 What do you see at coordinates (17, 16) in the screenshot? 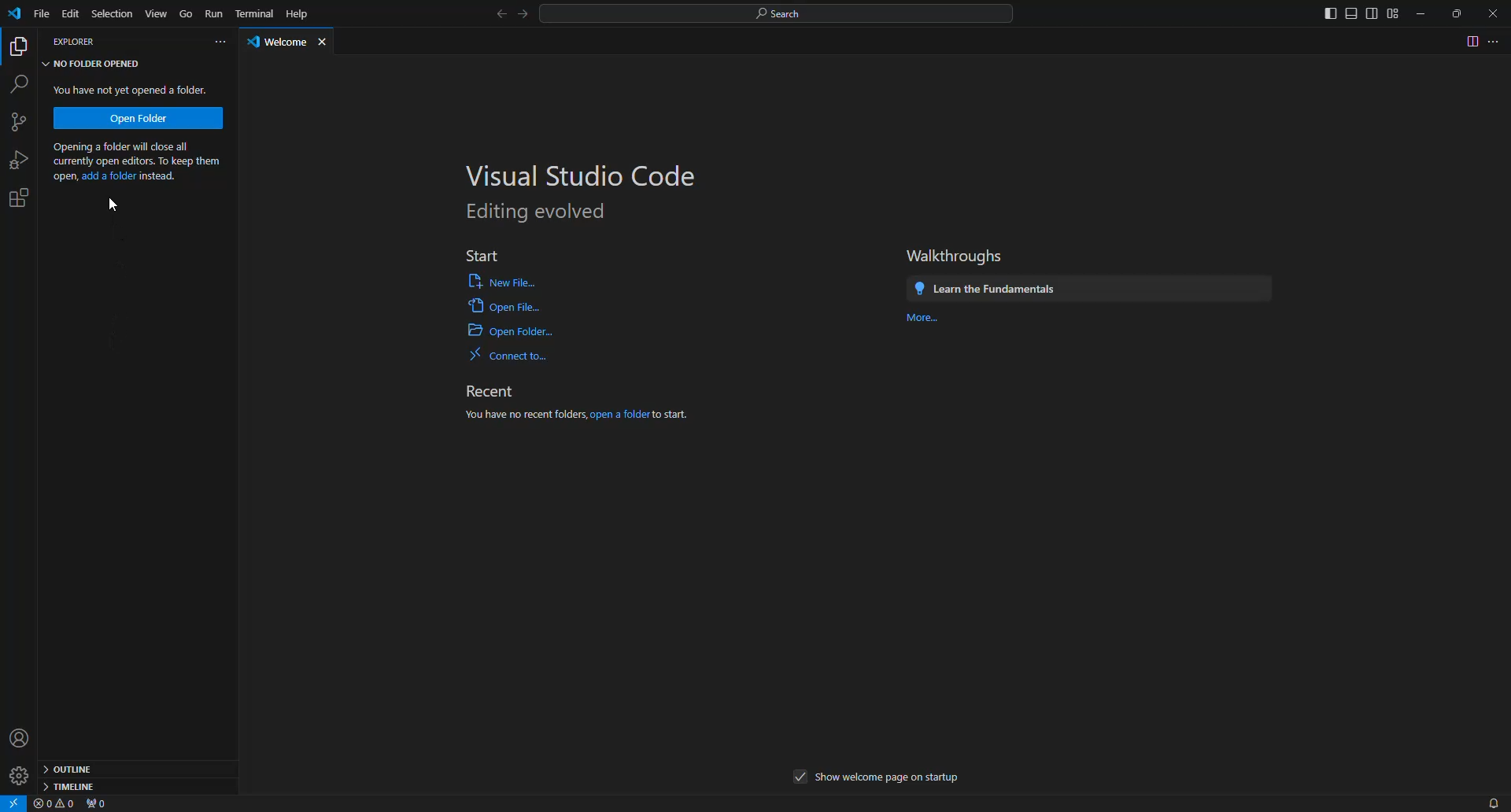
I see `vs code` at bounding box center [17, 16].